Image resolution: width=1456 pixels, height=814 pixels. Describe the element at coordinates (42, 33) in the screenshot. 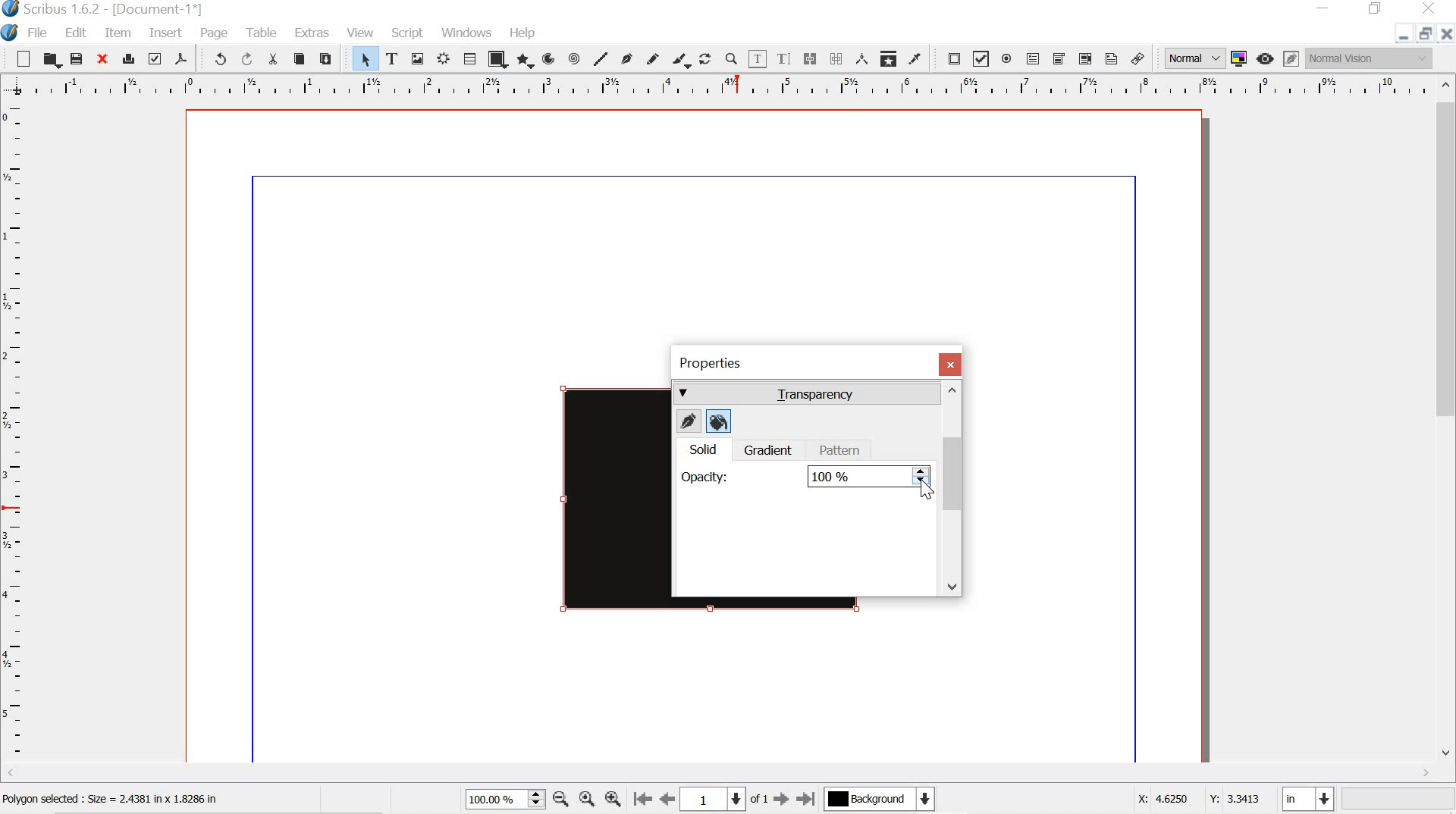

I see `file` at that location.